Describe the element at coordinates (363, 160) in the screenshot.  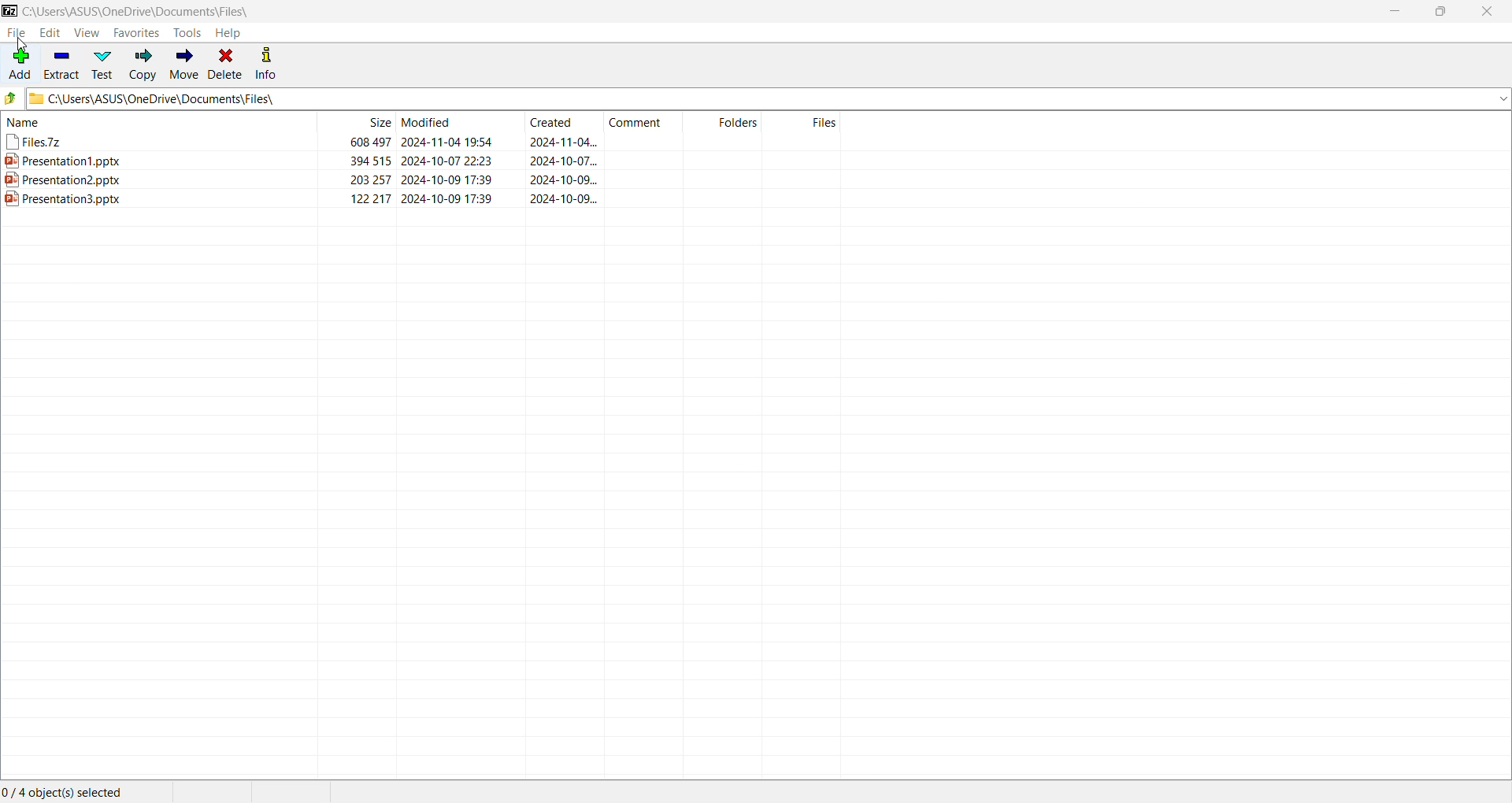
I see `394 515` at that location.